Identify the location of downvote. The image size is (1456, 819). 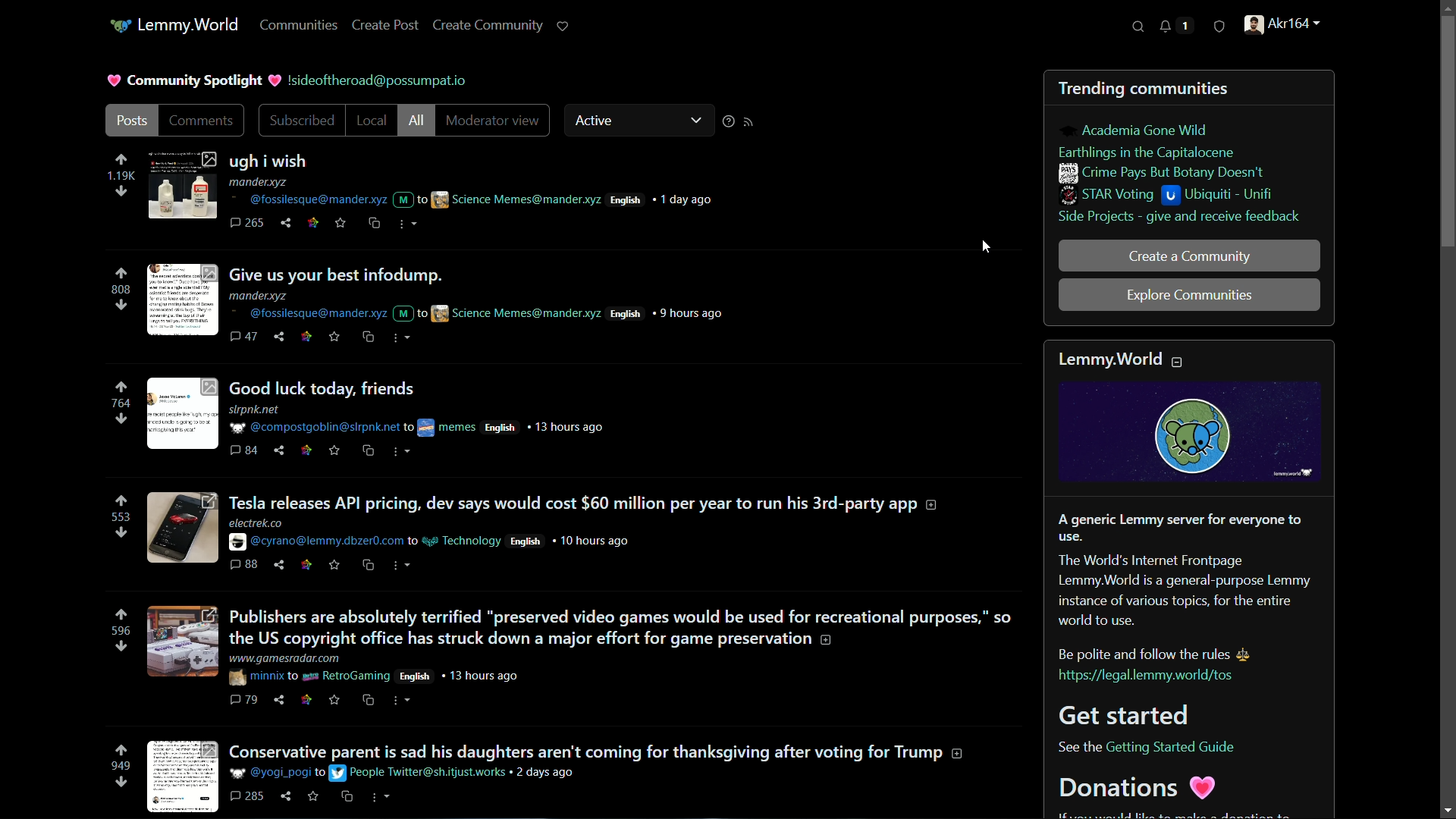
(120, 533).